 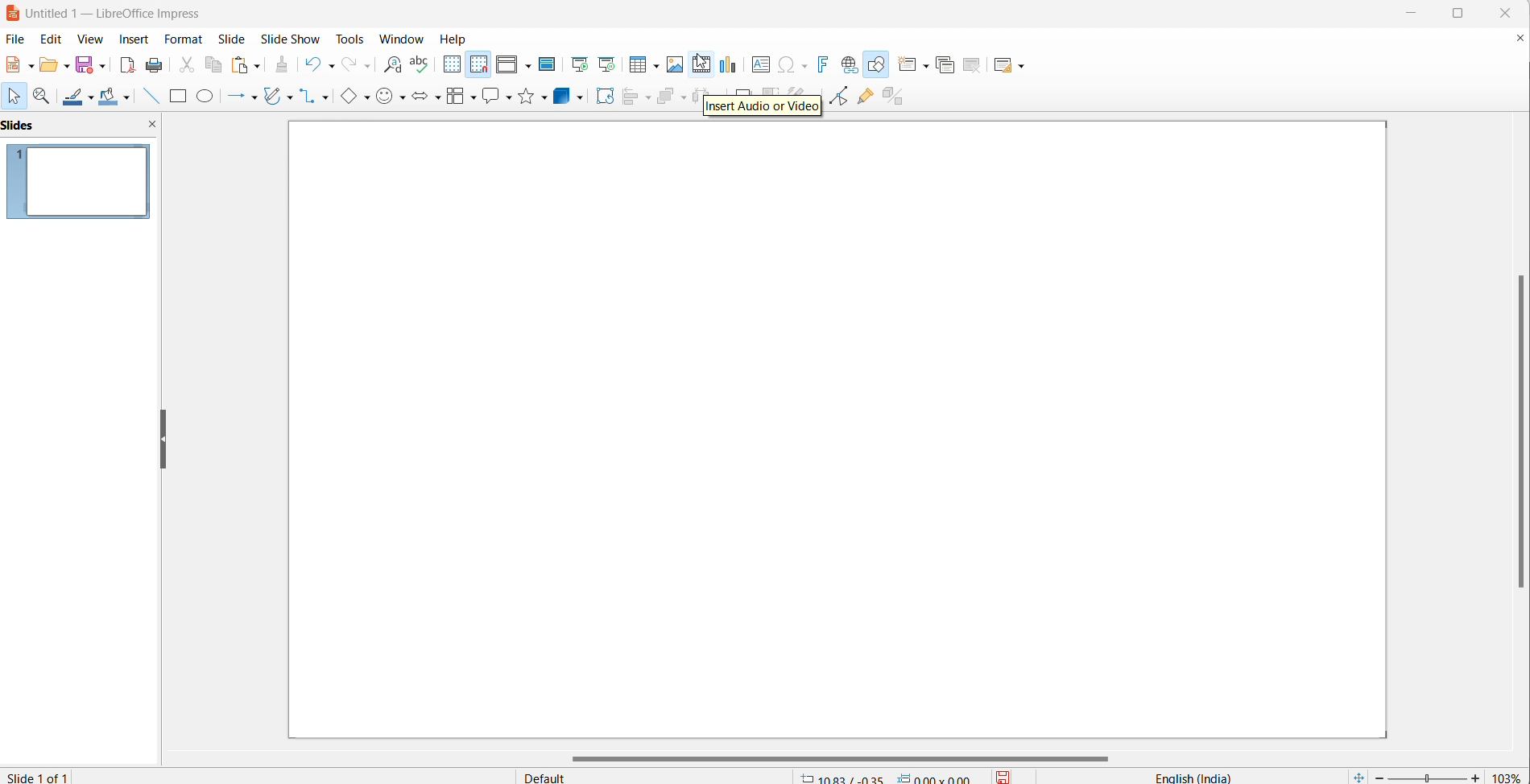 I want to click on view, so click(x=93, y=38).